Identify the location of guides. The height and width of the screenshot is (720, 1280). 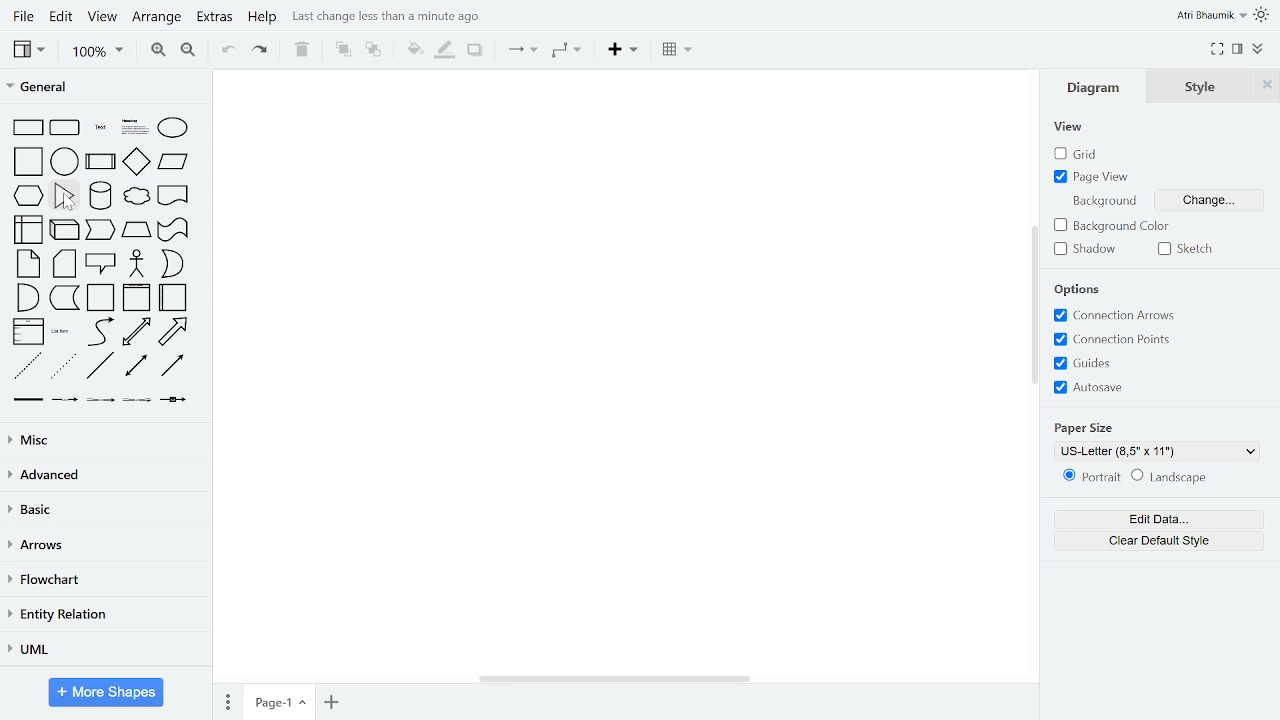
(1084, 364).